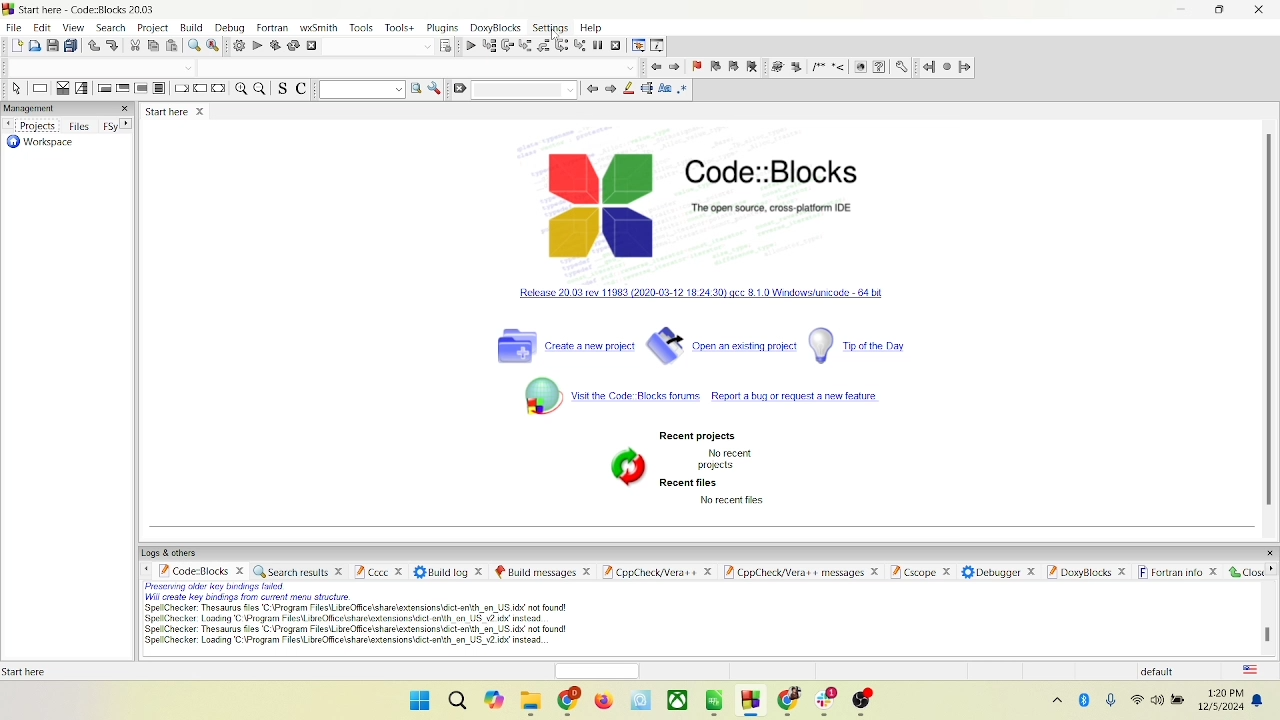 The width and height of the screenshot is (1280, 720). I want to click on clear, so click(461, 92).